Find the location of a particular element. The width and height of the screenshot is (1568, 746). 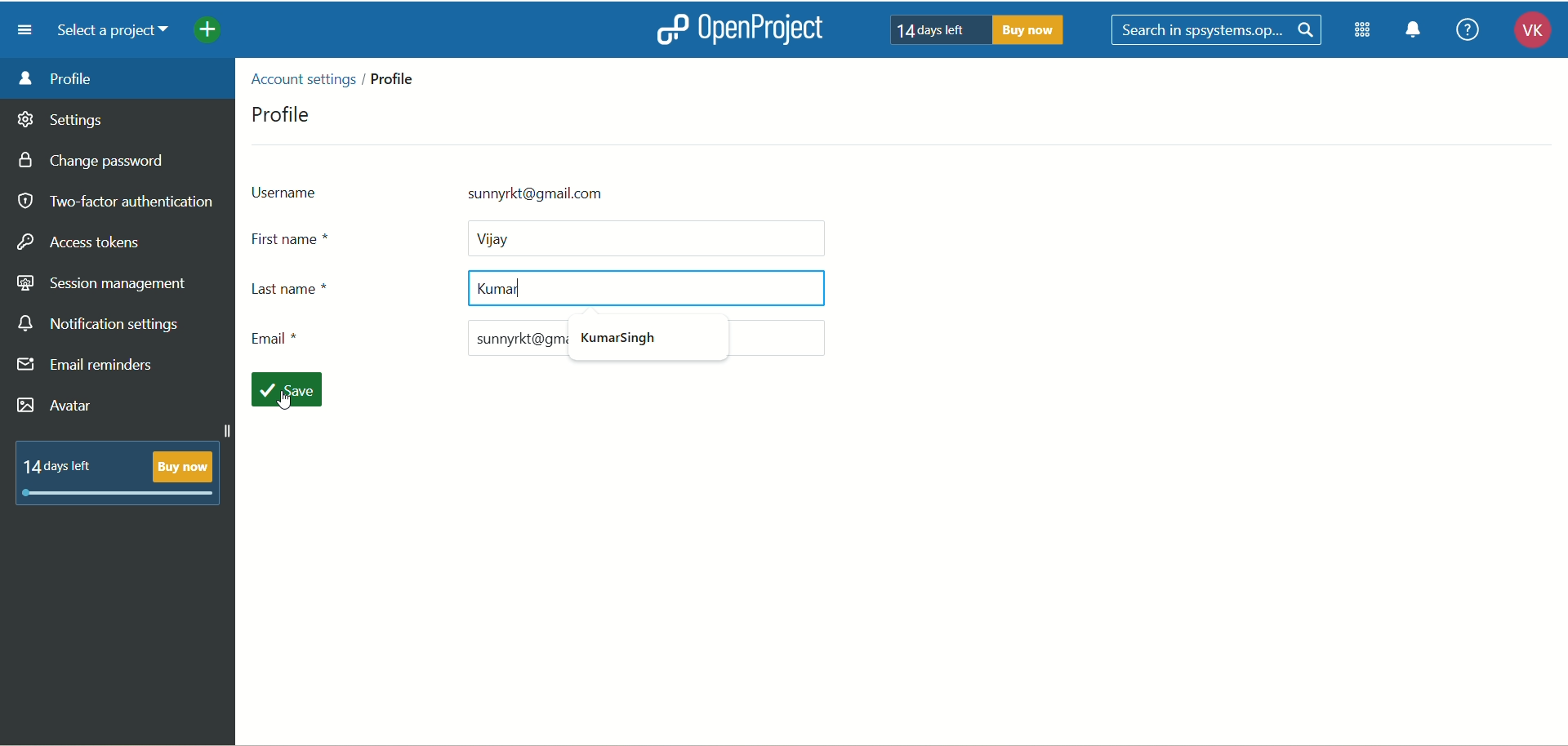

cursor is located at coordinates (283, 402).